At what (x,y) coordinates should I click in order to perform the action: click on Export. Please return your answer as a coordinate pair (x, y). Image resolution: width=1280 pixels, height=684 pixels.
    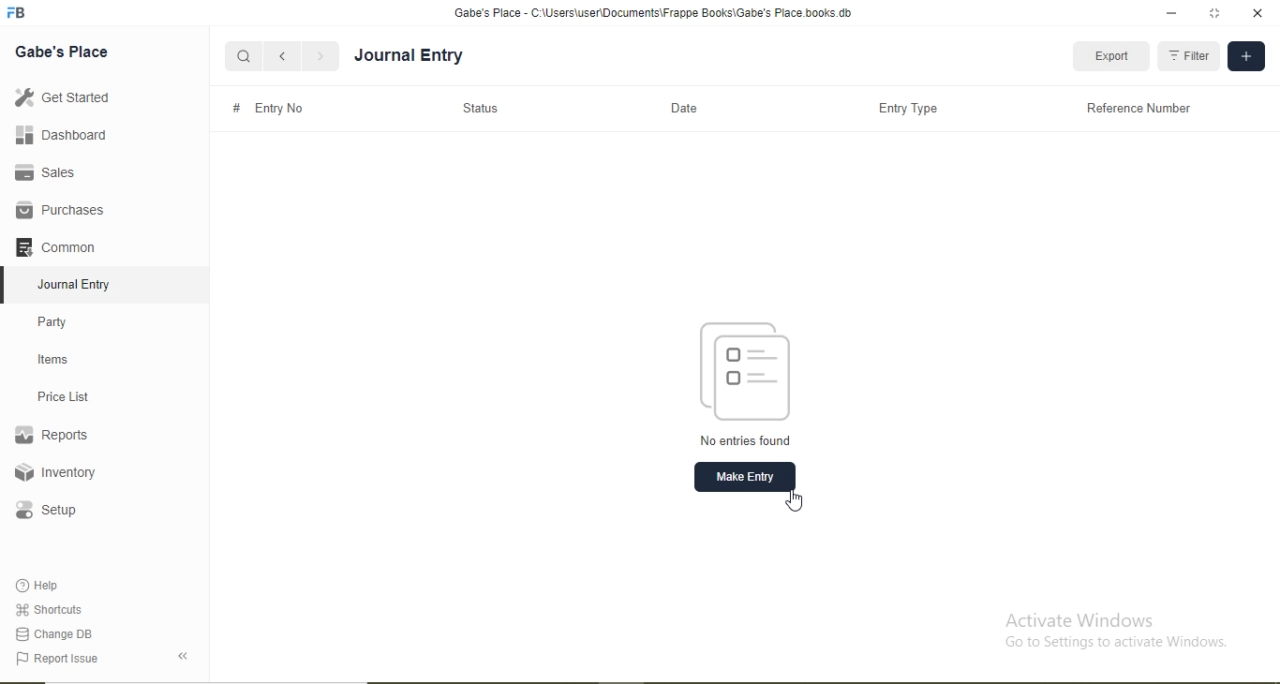
    Looking at the image, I should click on (1111, 56).